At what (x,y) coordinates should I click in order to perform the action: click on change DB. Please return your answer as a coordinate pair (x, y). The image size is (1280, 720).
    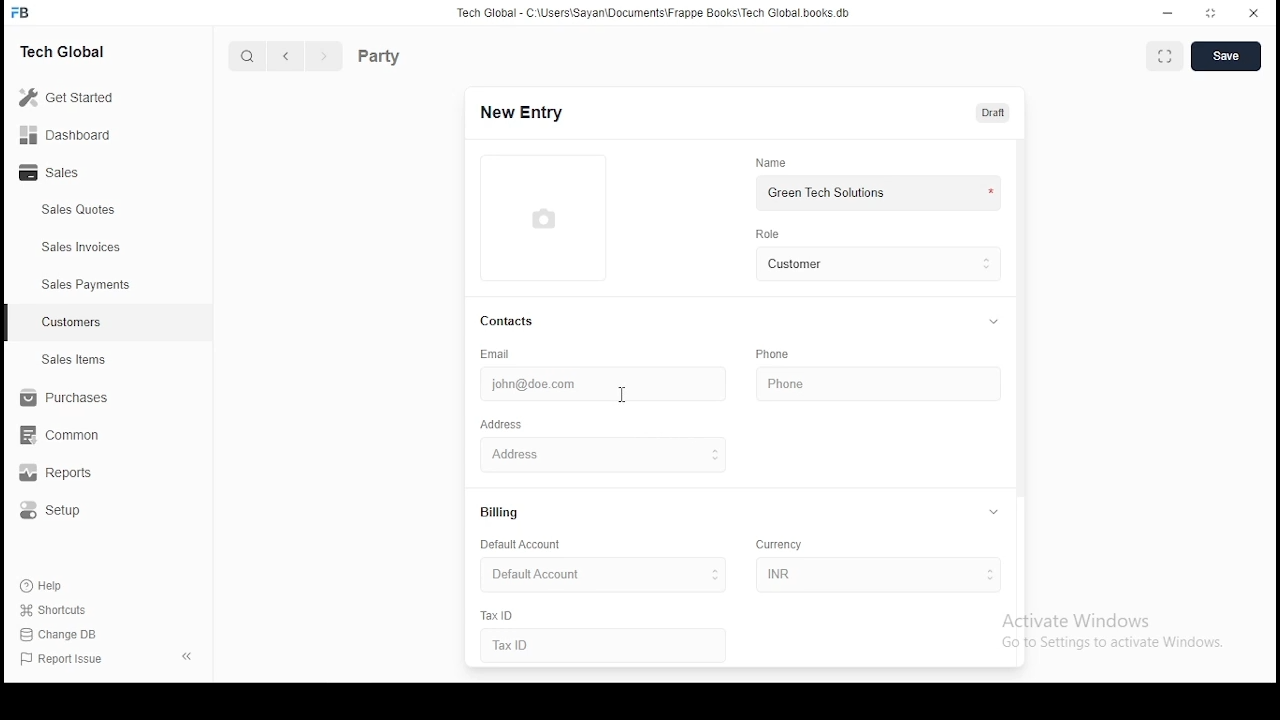
    Looking at the image, I should click on (61, 633).